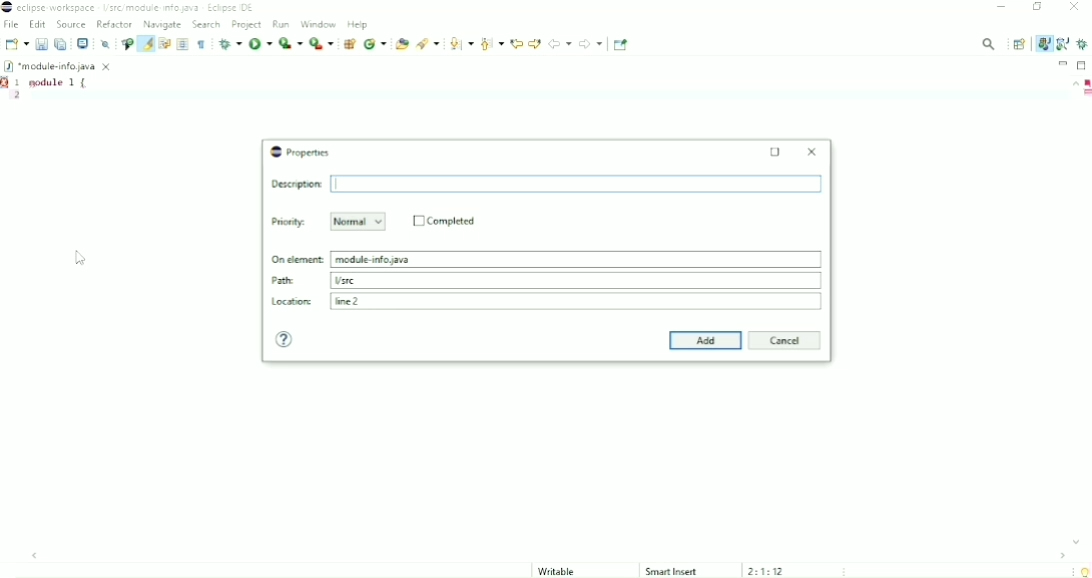 The width and height of the screenshot is (1092, 578). What do you see at coordinates (547, 257) in the screenshot?
I see `On element` at bounding box center [547, 257].